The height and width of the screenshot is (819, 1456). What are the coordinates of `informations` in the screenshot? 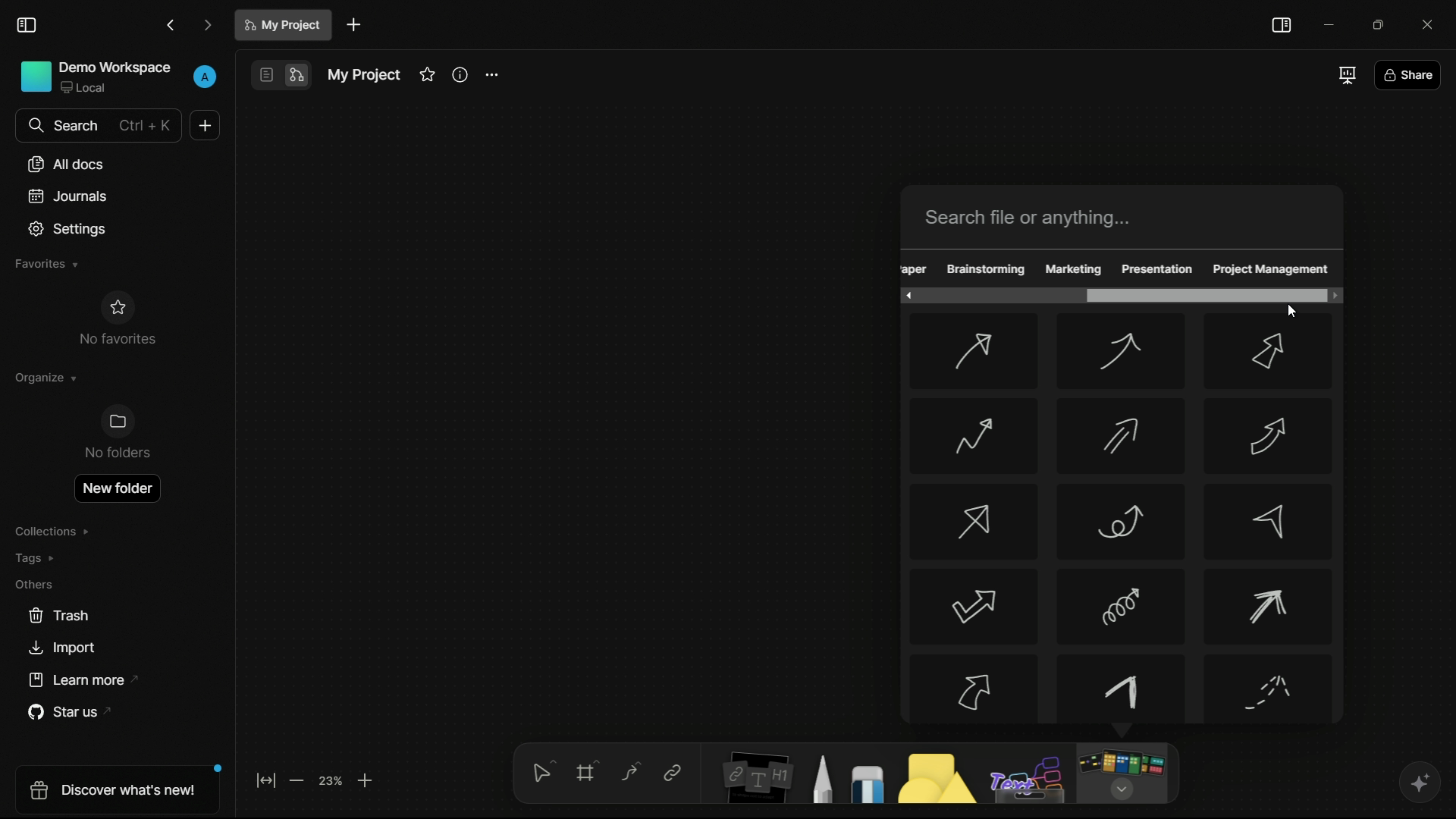 It's located at (460, 74).